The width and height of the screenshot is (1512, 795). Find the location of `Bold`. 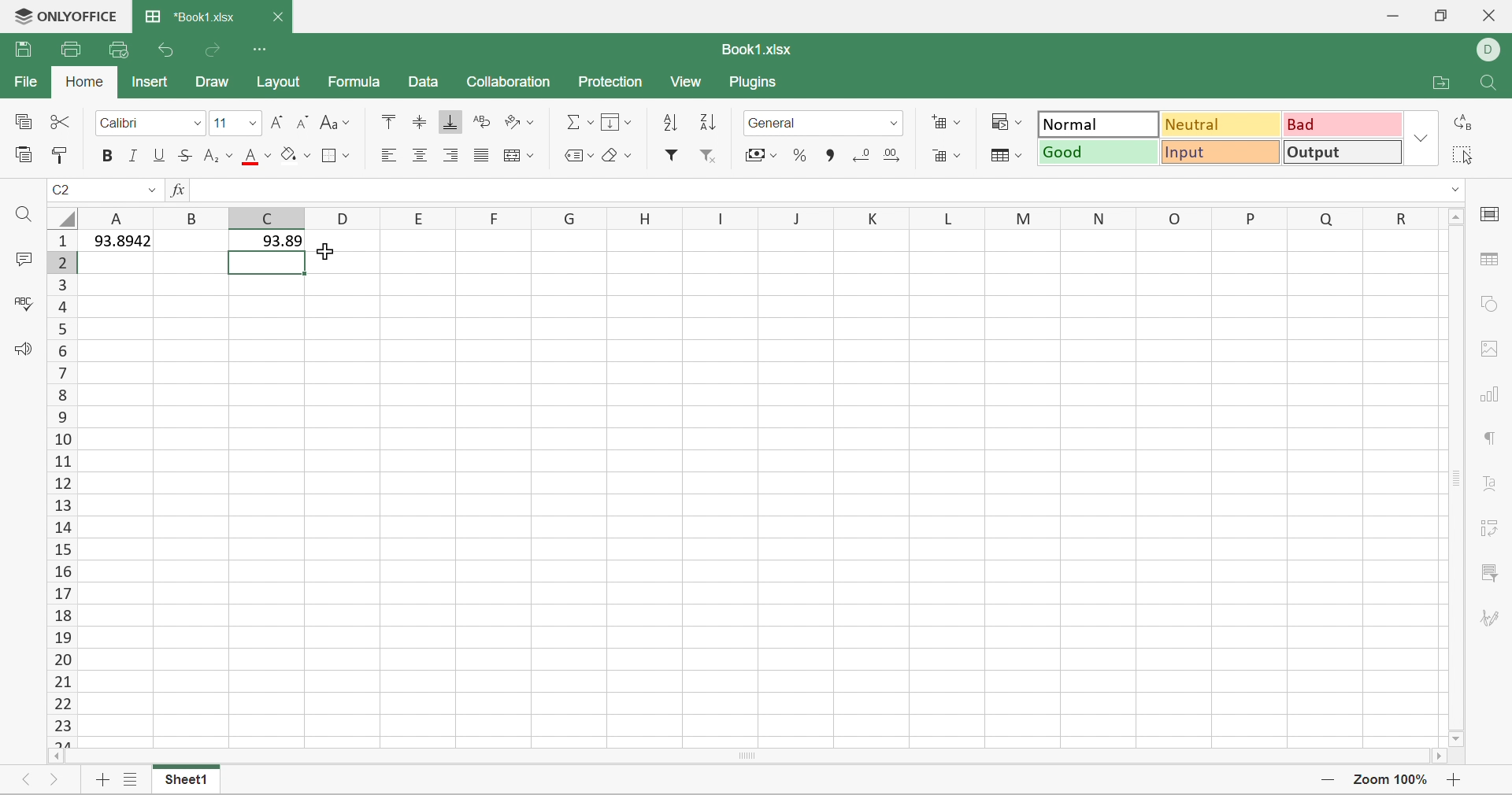

Bold is located at coordinates (109, 156).